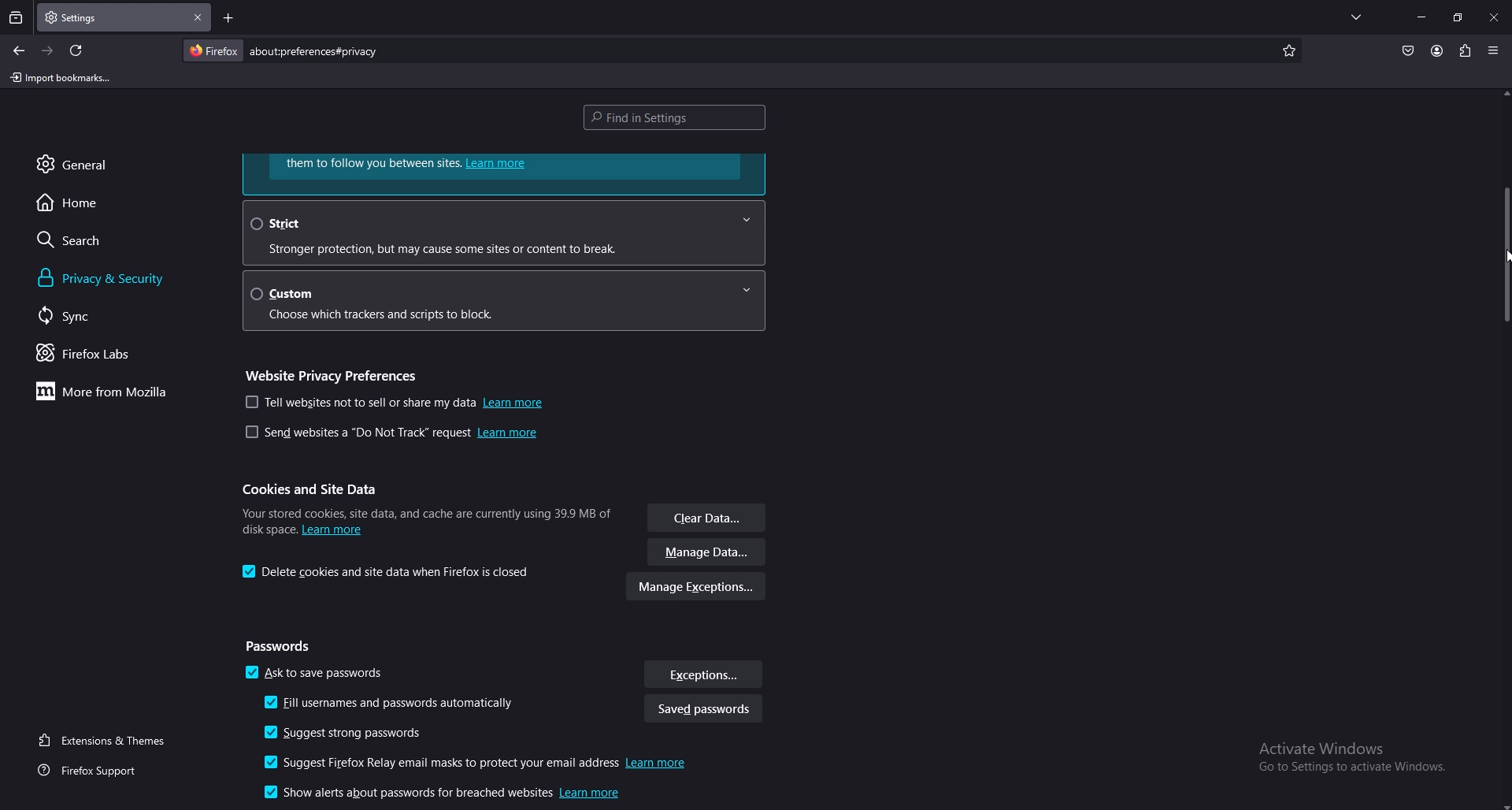  I want to click on search bar, so click(318, 51).